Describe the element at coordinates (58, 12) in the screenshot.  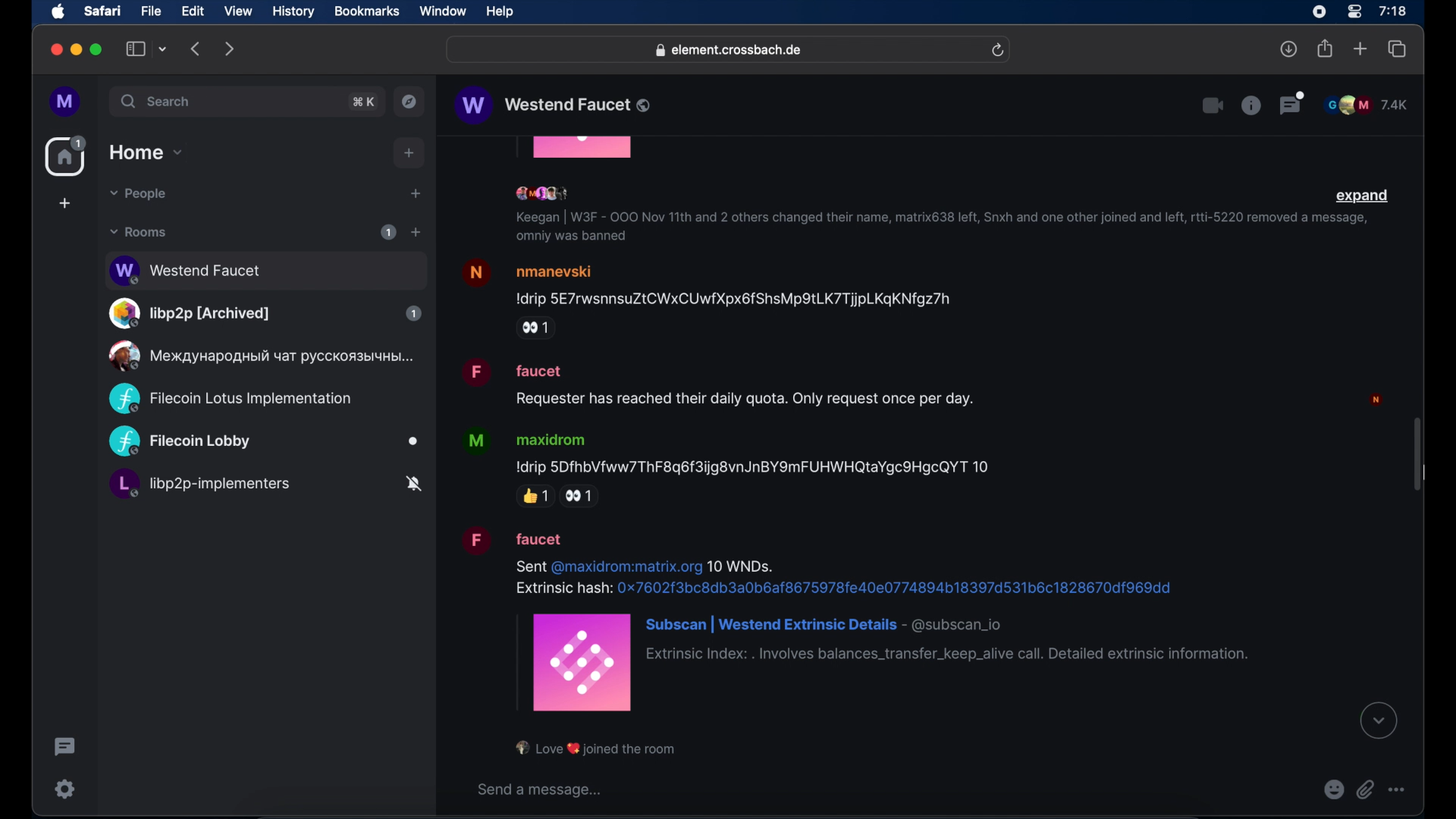
I see `apple icon` at that location.